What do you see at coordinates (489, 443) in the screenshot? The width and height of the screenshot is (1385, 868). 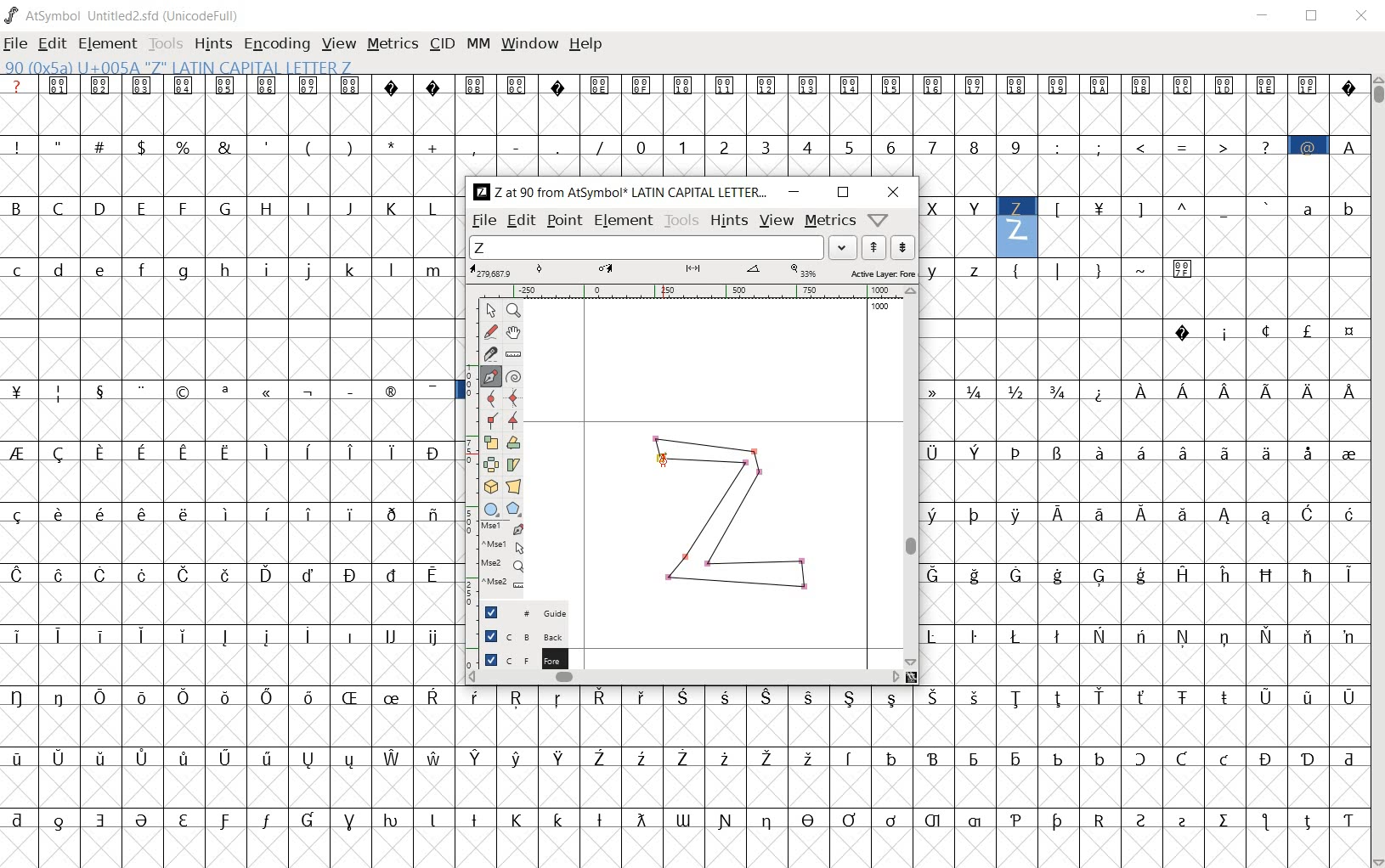 I see `scale the selection` at bounding box center [489, 443].